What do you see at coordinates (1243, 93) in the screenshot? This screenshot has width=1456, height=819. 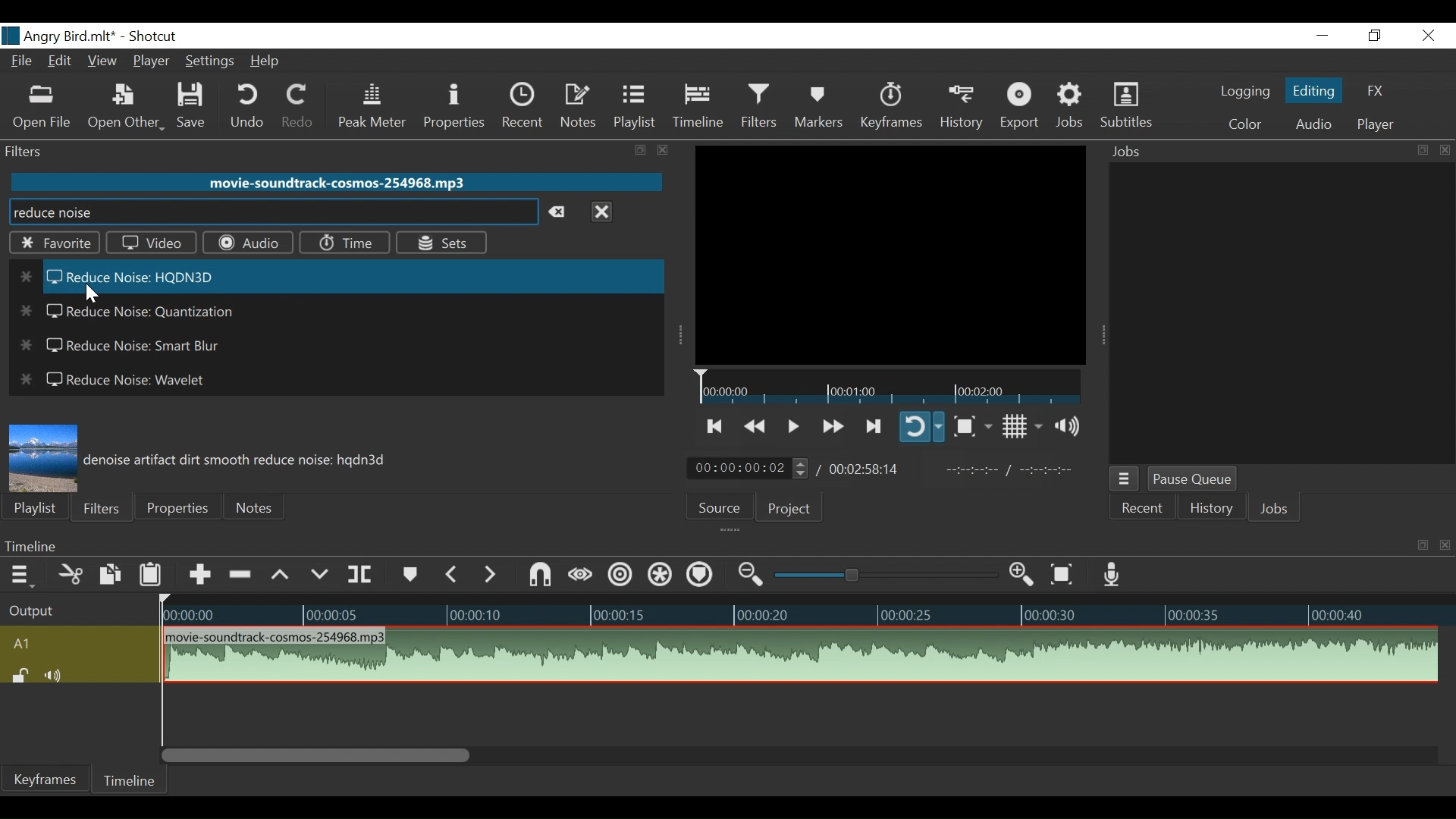 I see `logging` at bounding box center [1243, 93].